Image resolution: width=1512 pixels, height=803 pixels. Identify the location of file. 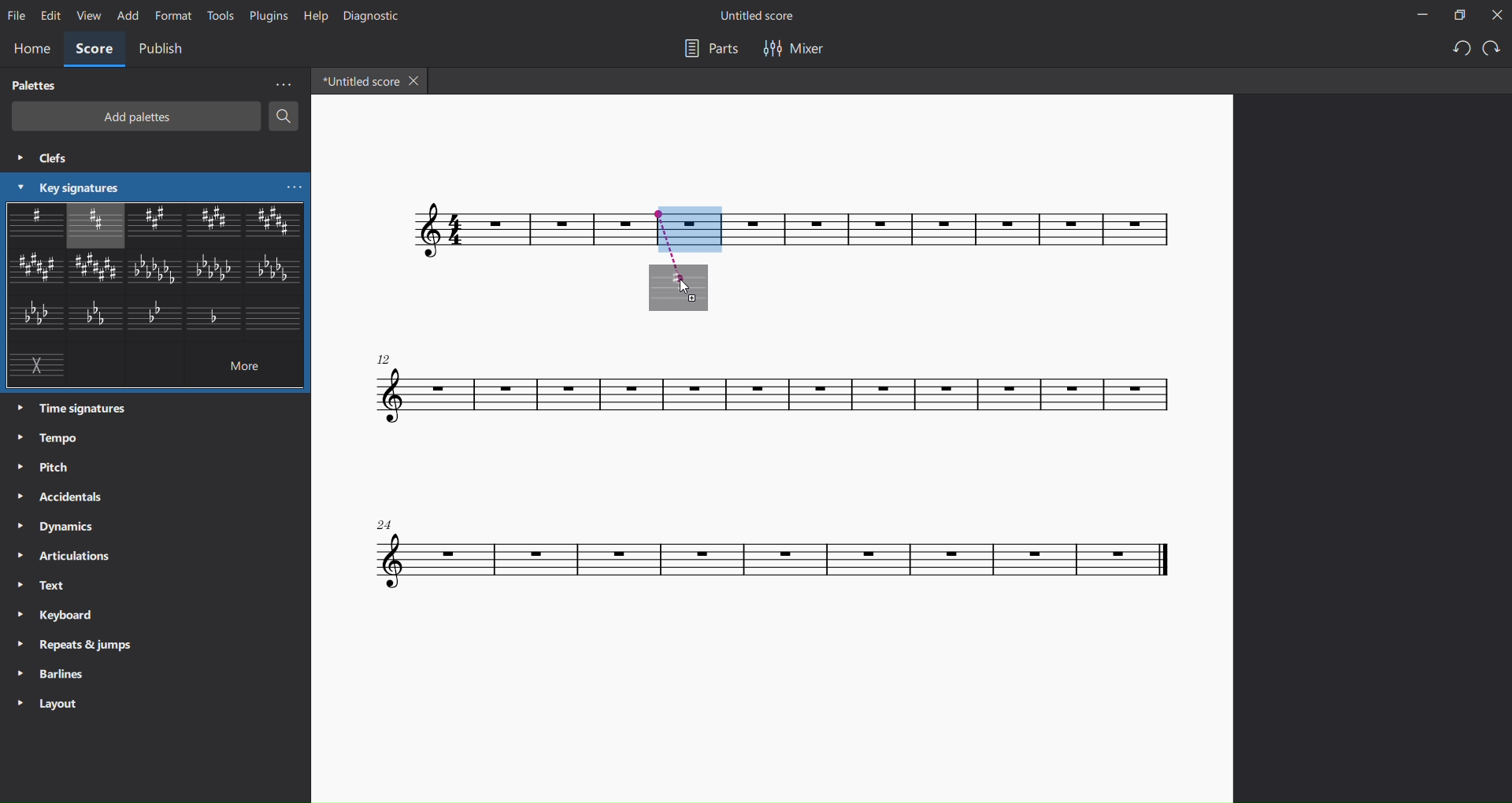
(18, 15).